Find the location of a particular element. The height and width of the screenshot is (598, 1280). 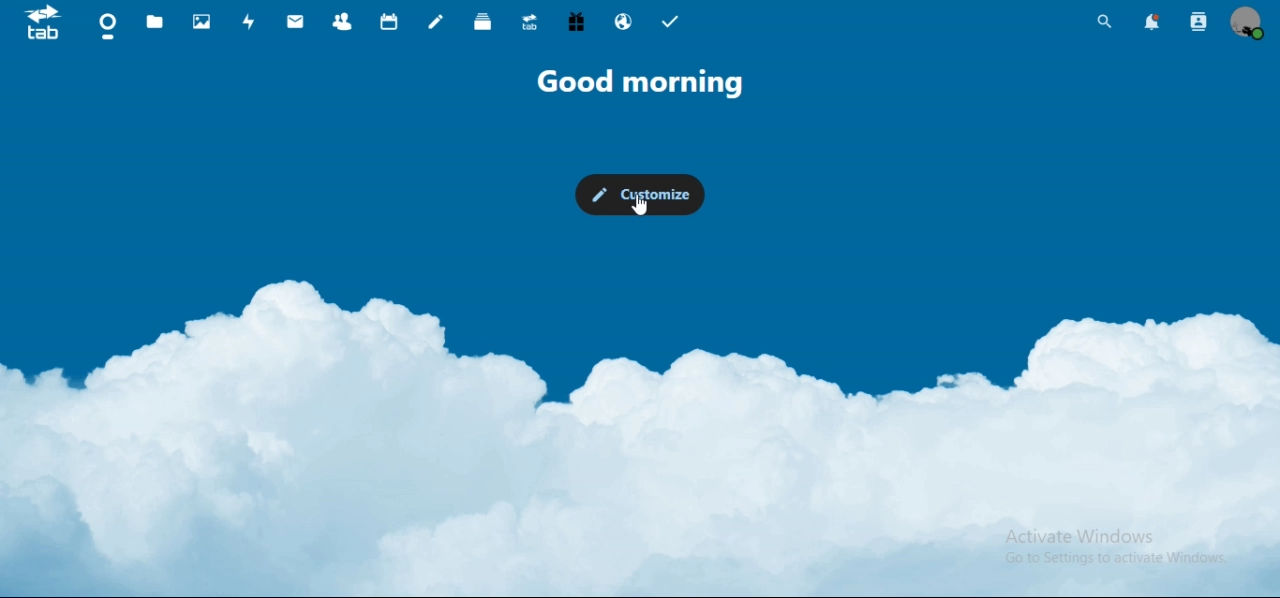

customize is located at coordinates (641, 195).